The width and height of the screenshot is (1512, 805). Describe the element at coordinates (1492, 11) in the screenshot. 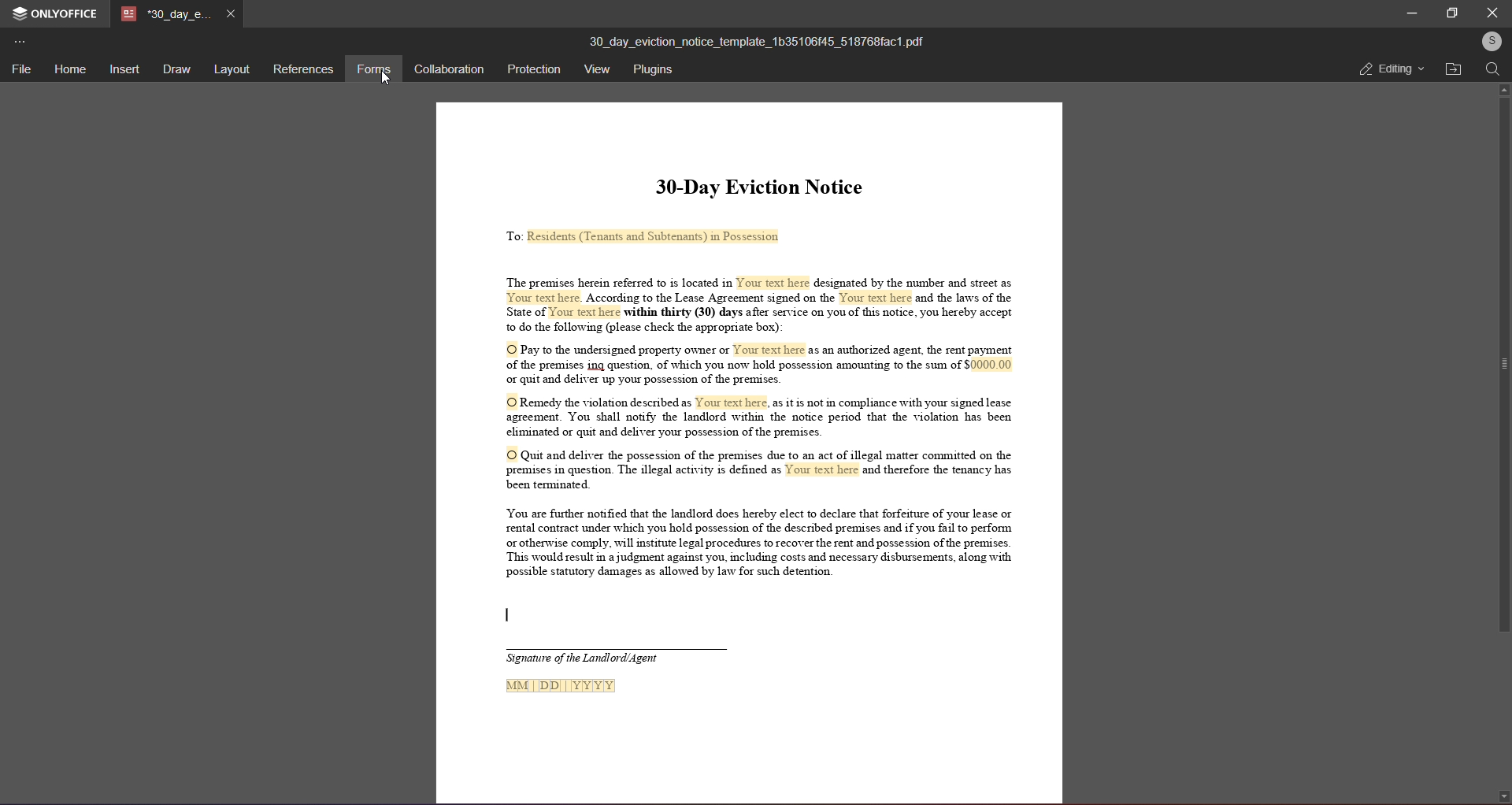

I see `close` at that location.